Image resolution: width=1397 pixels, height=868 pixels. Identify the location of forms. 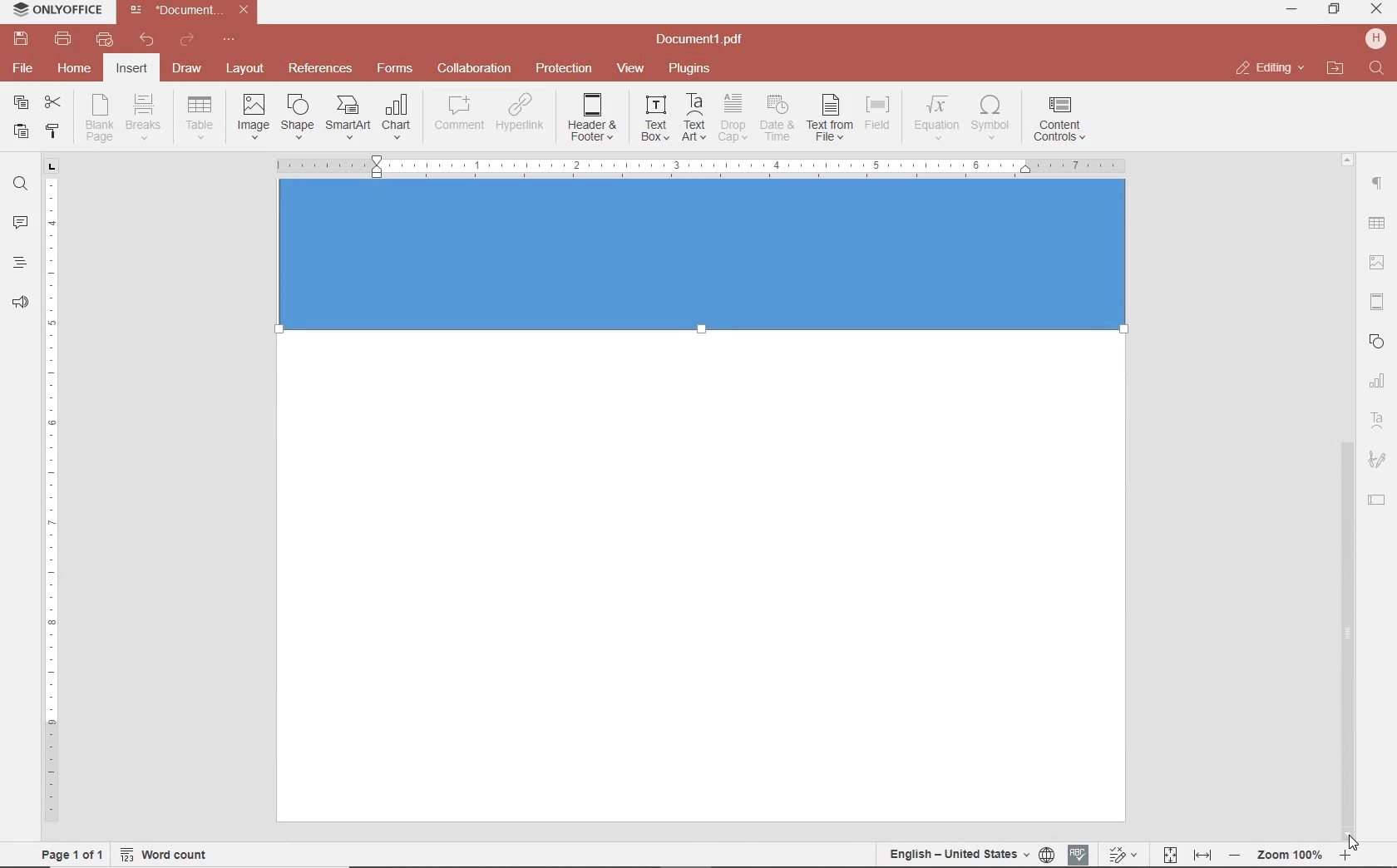
(395, 68).